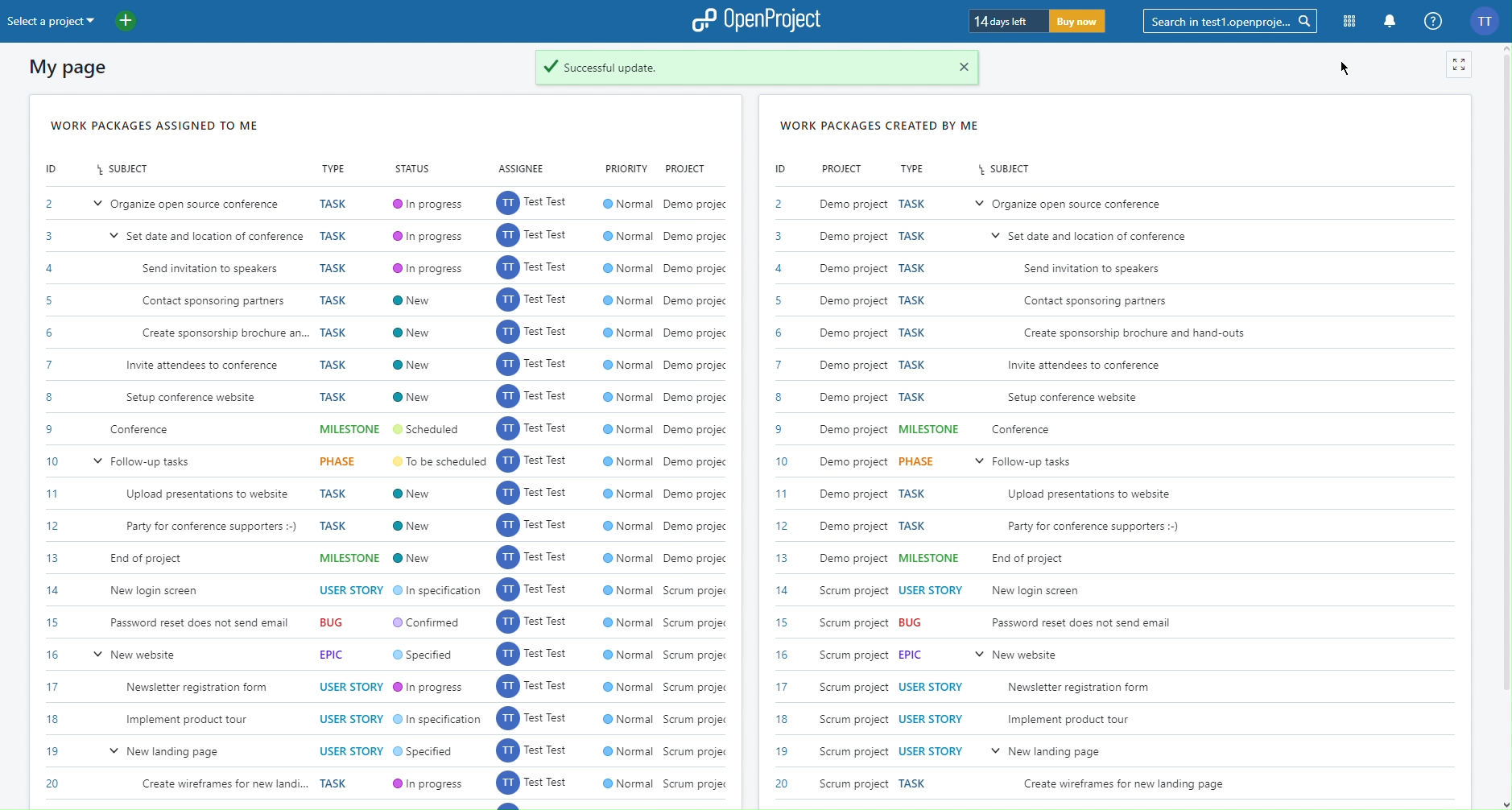 Image resolution: width=1512 pixels, height=810 pixels. I want to click on In specification, so click(436, 593).